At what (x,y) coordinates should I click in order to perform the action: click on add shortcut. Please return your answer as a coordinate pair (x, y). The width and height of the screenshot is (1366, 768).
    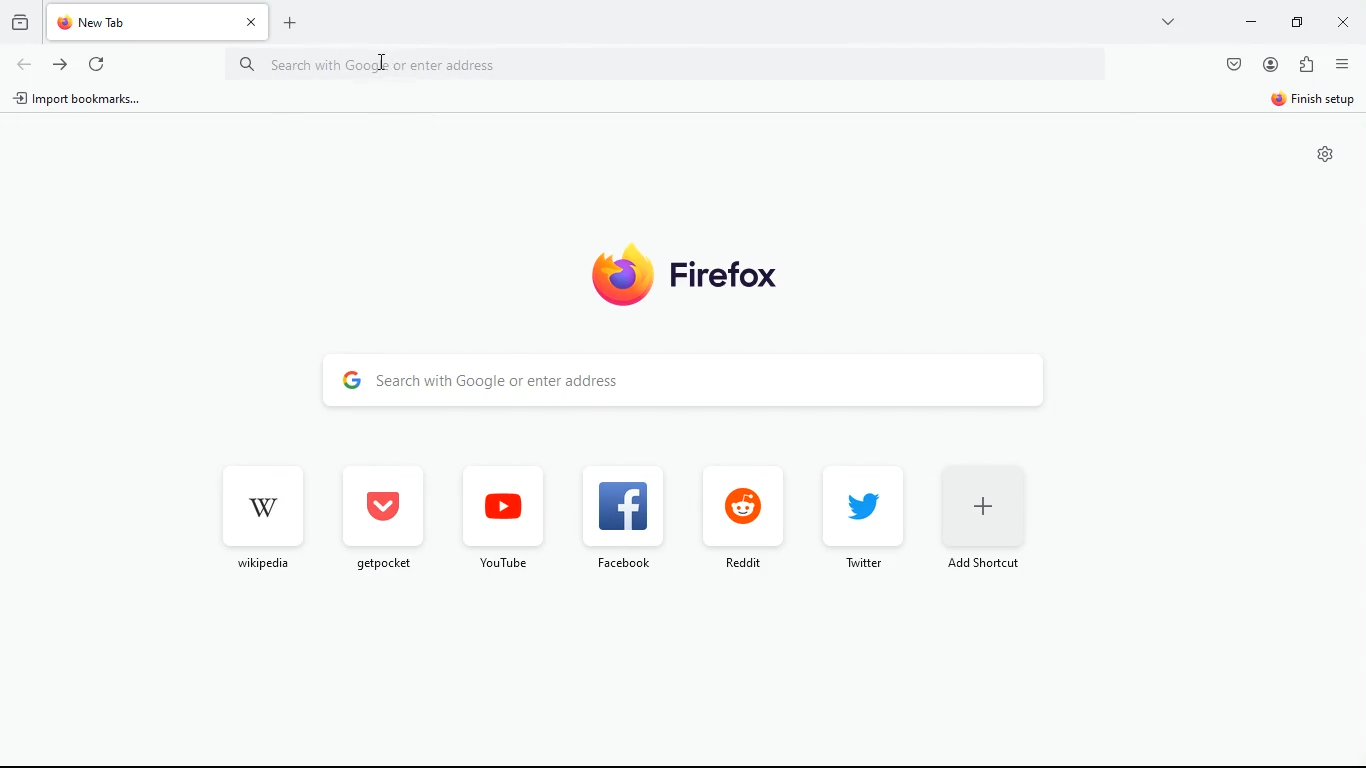
    Looking at the image, I should click on (982, 522).